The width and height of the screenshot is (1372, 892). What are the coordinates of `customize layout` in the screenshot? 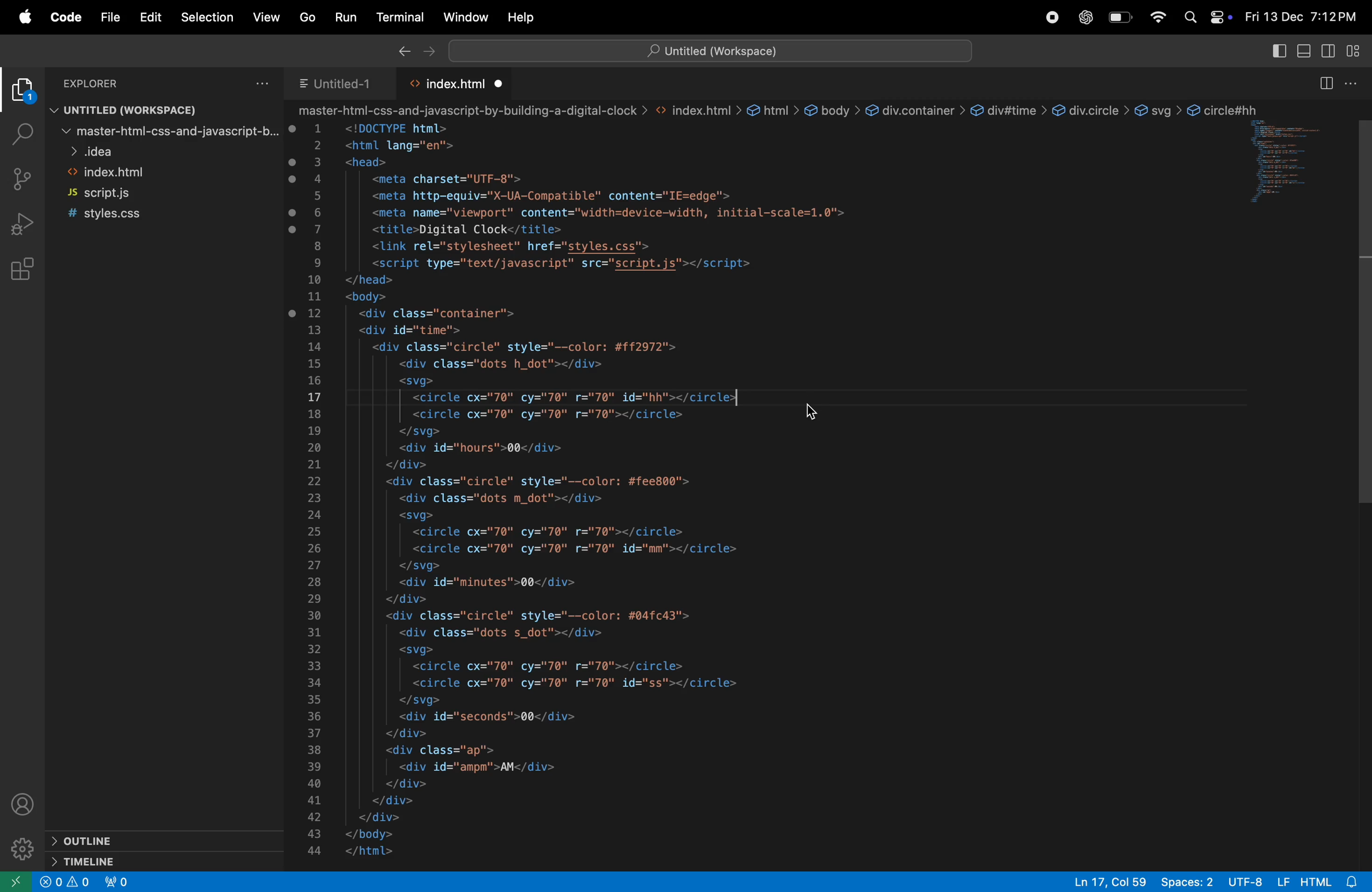 It's located at (1358, 54).